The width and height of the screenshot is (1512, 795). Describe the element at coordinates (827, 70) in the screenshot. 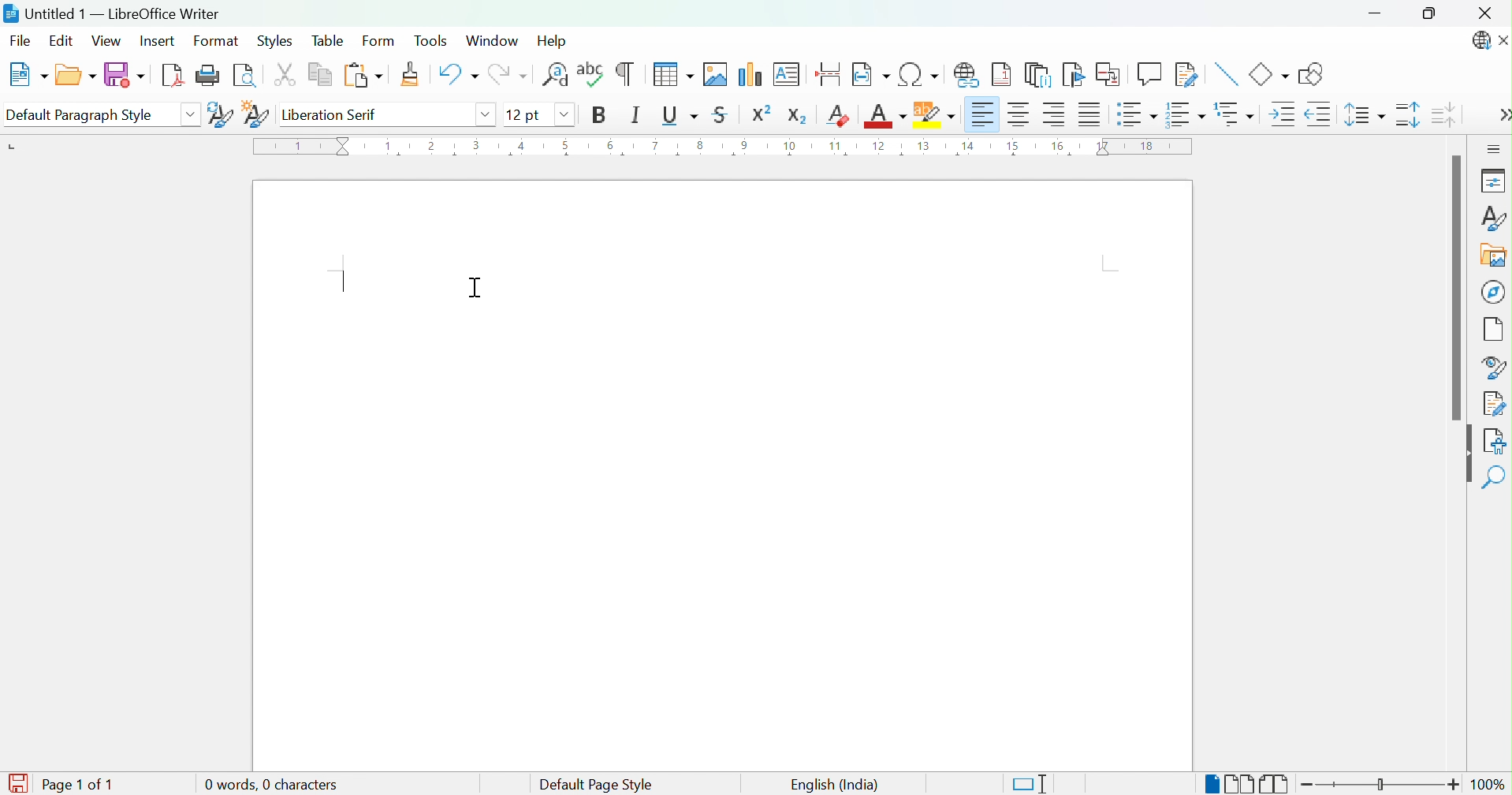

I see `Insert Page Break` at that location.